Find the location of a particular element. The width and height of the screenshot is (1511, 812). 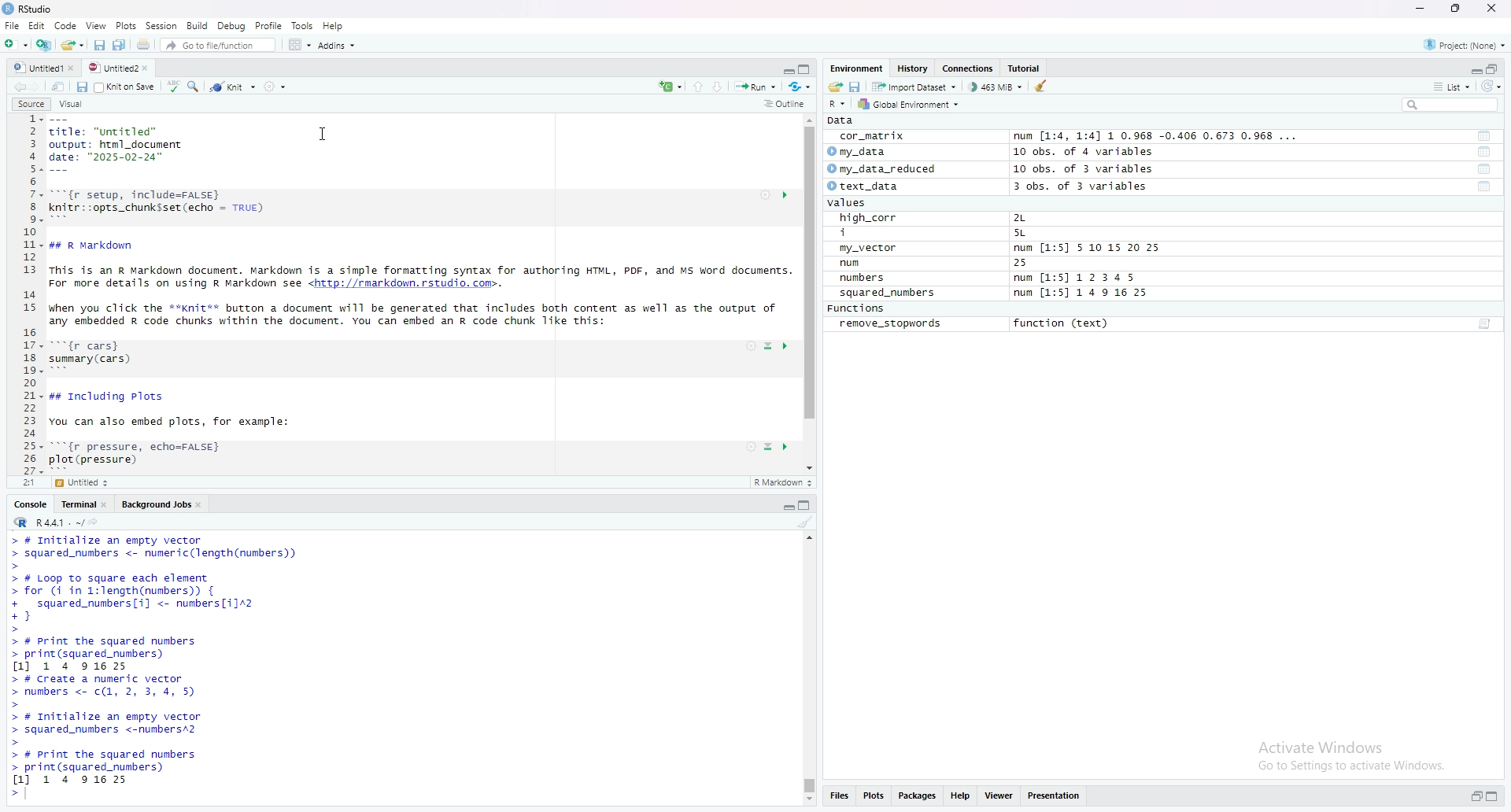

close is located at coordinates (201, 504).